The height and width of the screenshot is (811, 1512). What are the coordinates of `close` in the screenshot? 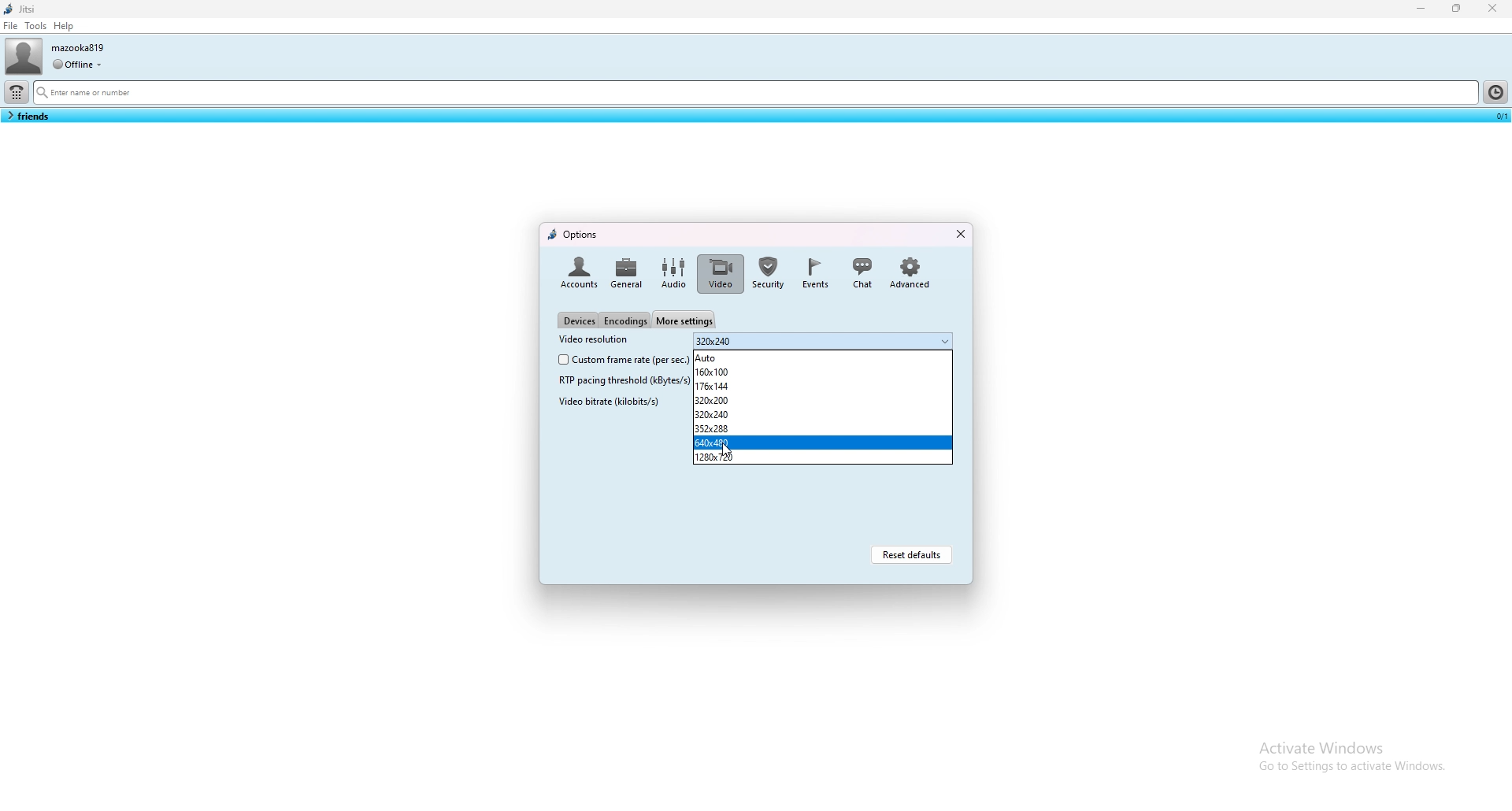 It's located at (959, 234).